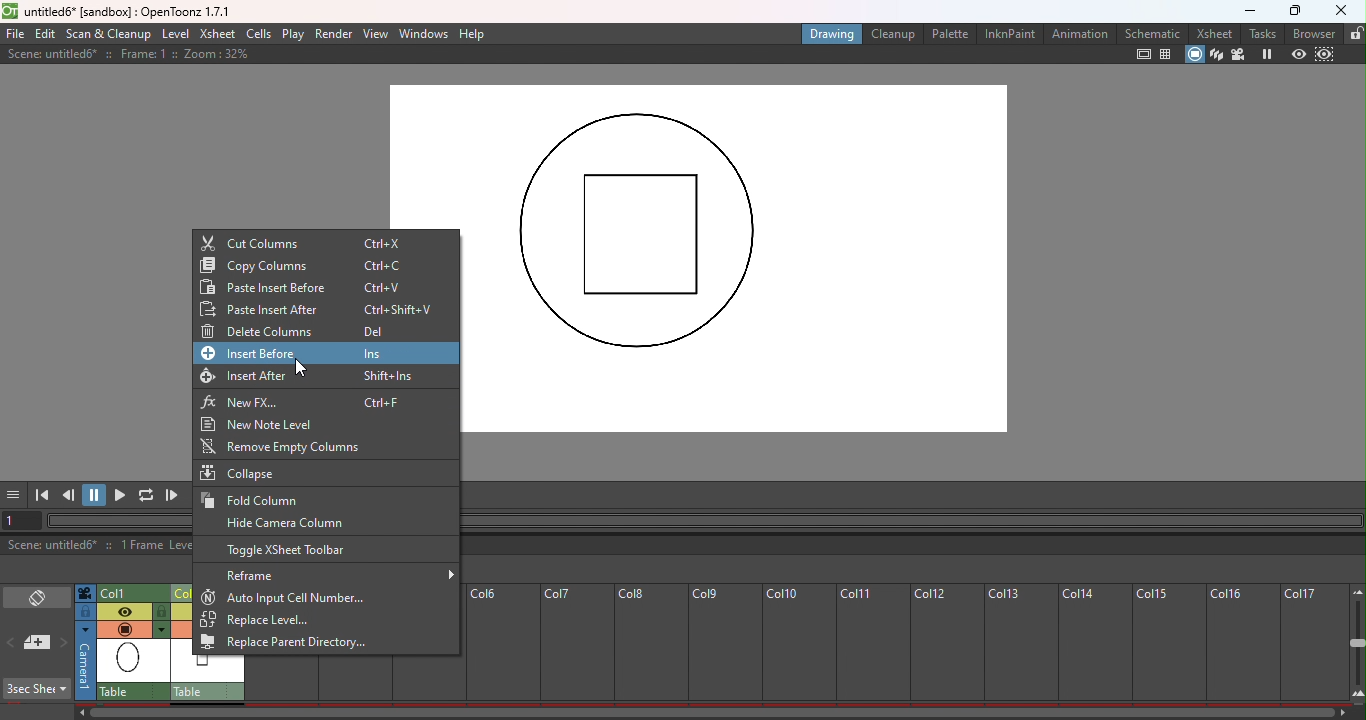 This screenshot has height=720, width=1366. Describe the element at coordinates (259, 34) in the screenshot. I see `Cells` at that location.